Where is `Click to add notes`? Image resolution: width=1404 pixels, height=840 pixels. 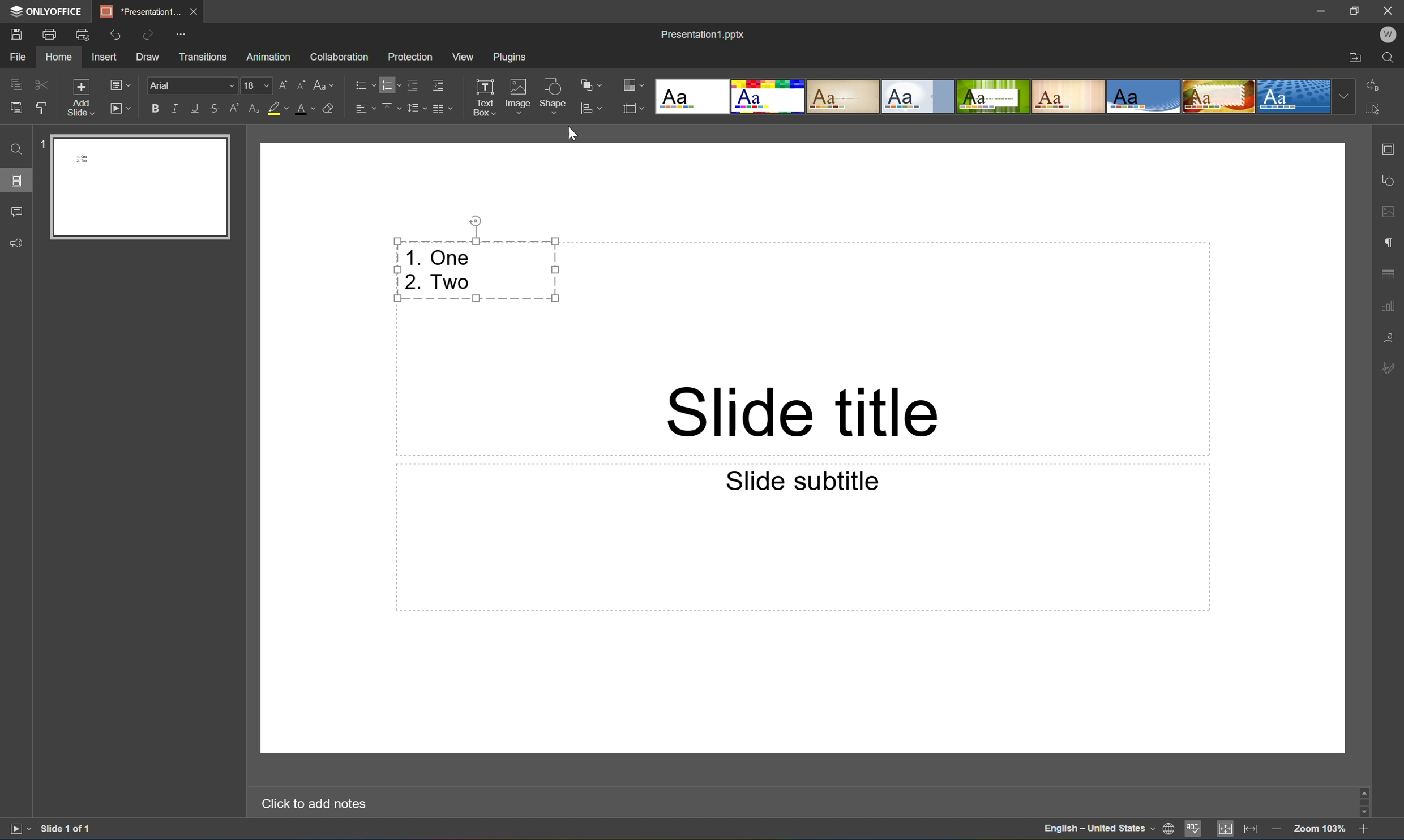
Click to add notes is located at coordinates (312, 804).